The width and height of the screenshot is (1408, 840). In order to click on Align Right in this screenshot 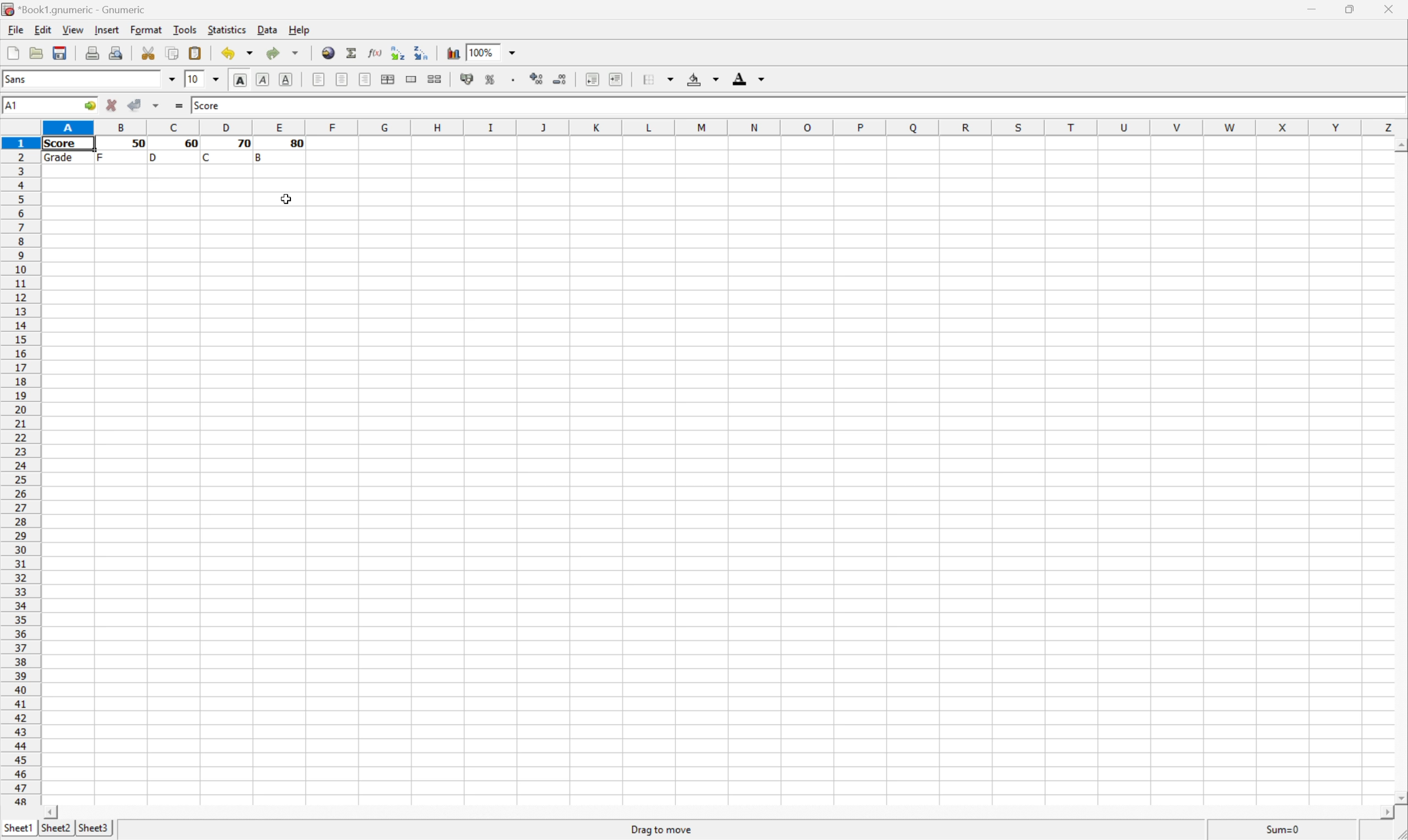, I will do `click(365, 79)`.